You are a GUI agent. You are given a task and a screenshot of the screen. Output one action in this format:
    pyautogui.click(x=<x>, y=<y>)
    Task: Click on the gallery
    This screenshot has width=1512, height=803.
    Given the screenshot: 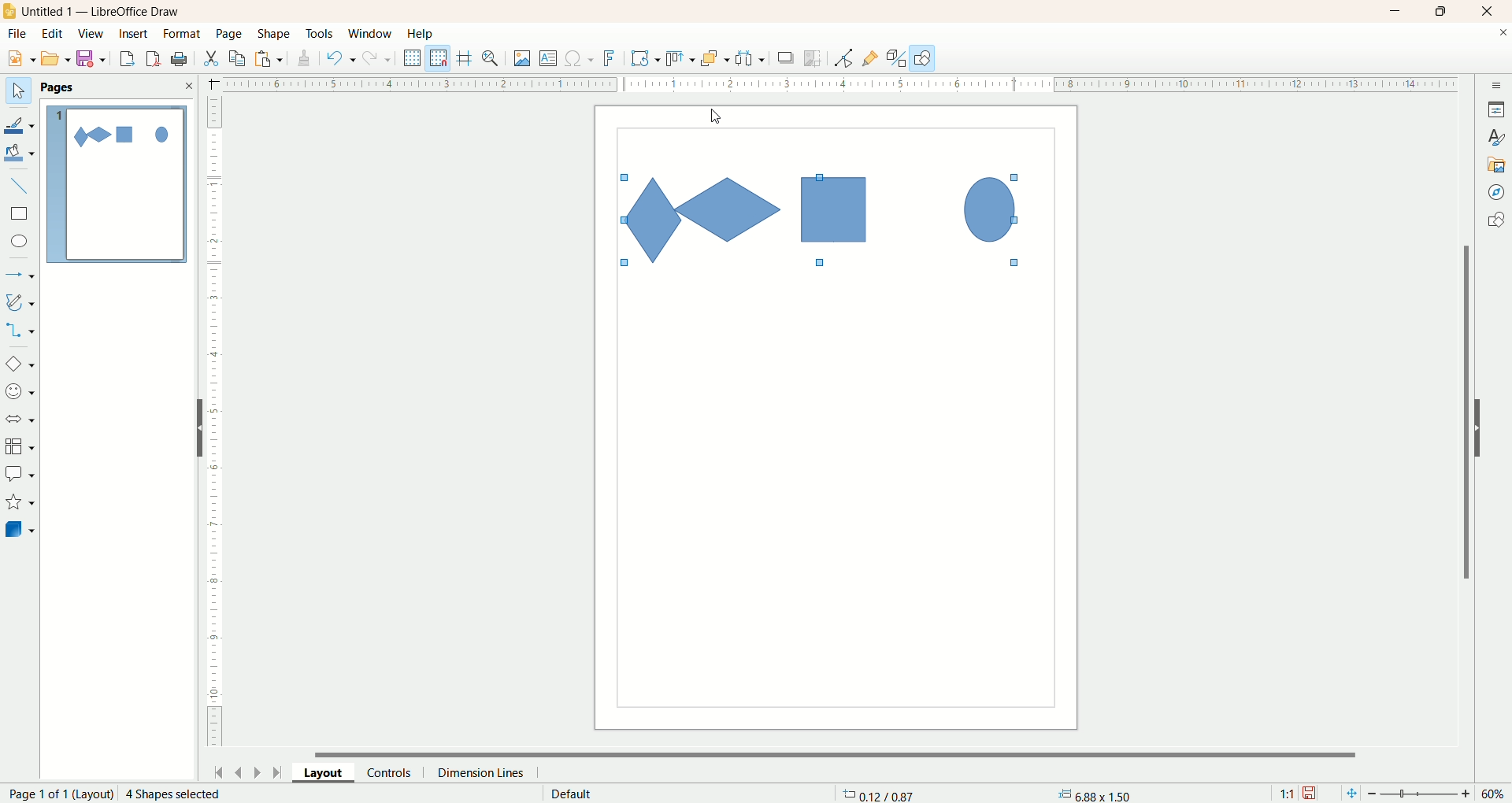 What is the action you would take?
    pyautogui.click(x=1497, y=163)
    